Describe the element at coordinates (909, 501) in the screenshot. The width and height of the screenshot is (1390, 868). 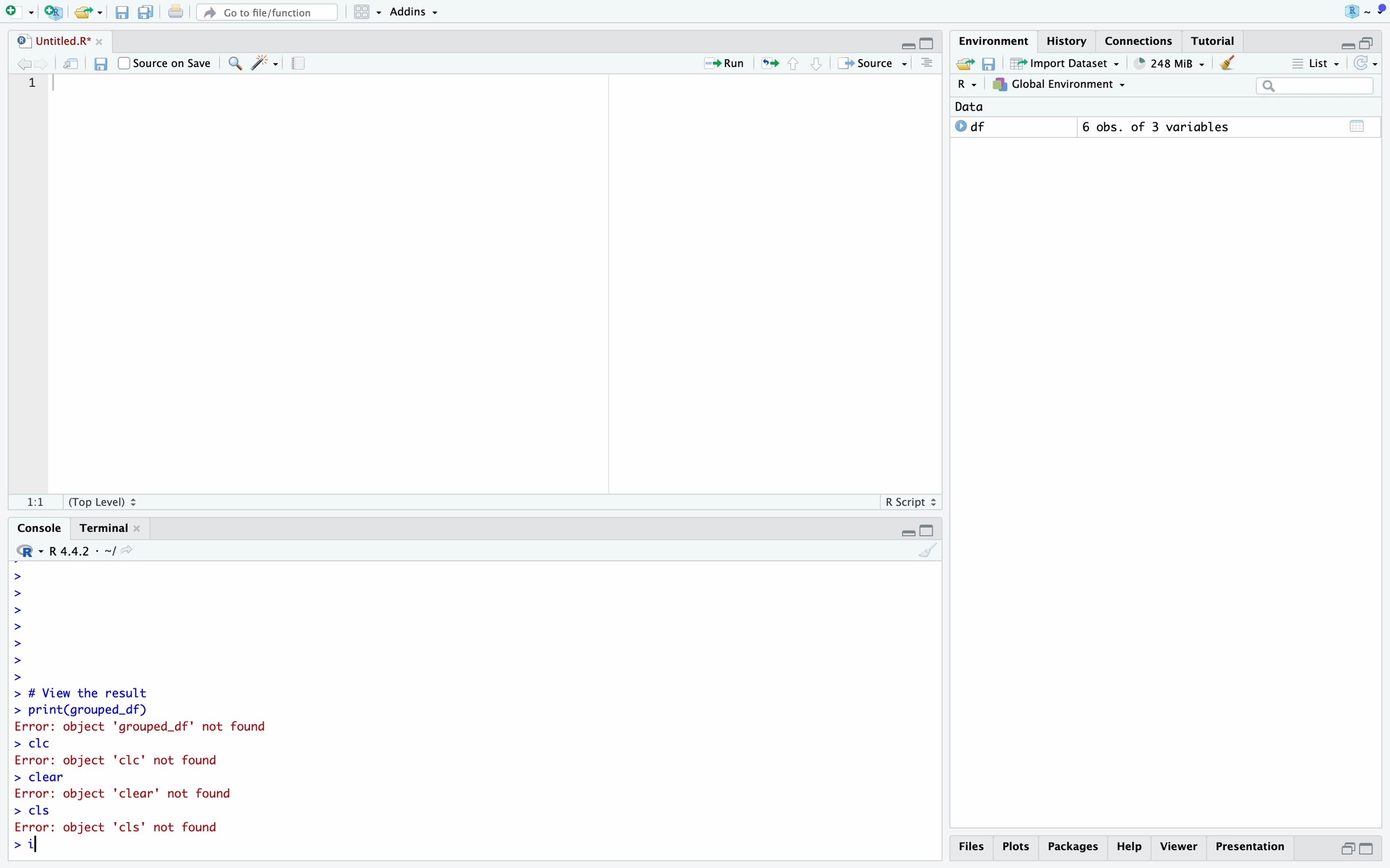
I see `R Script` at that location.